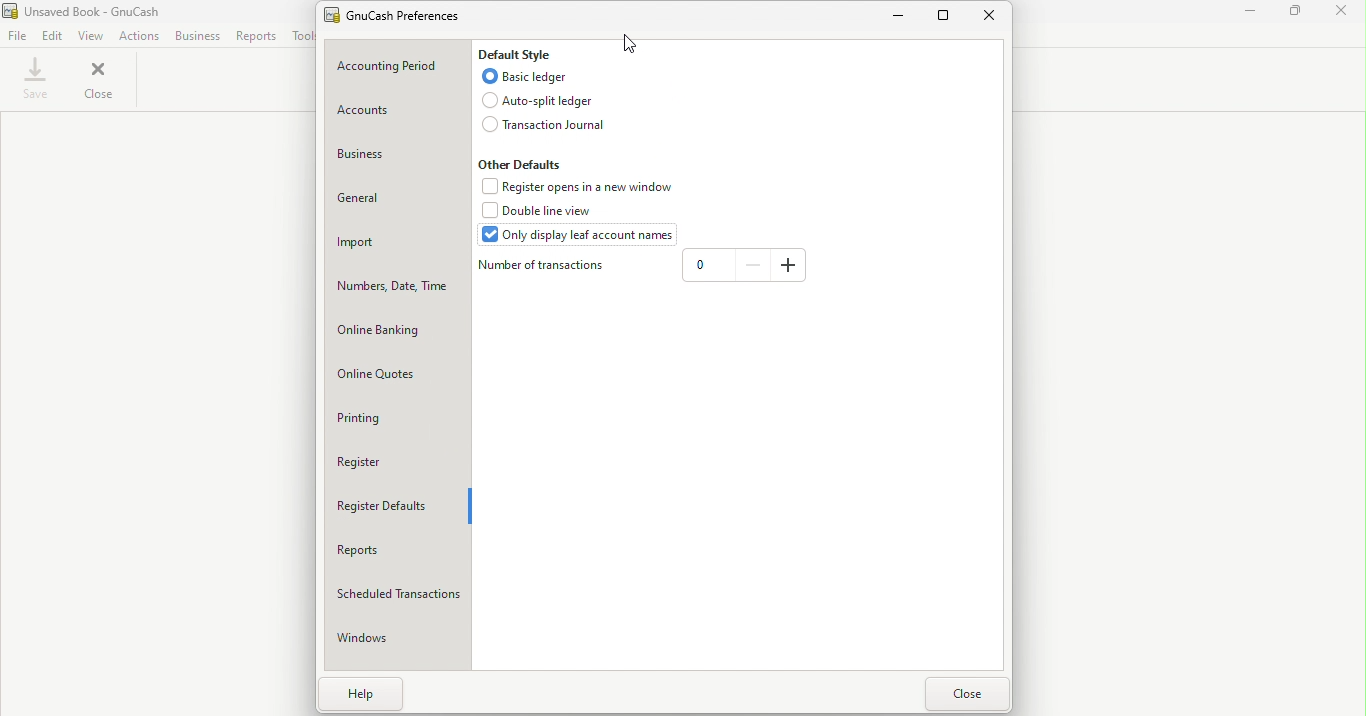 This screenshot has height=716, width=1366. I want to click on Transaction journal, so click(540, 126).